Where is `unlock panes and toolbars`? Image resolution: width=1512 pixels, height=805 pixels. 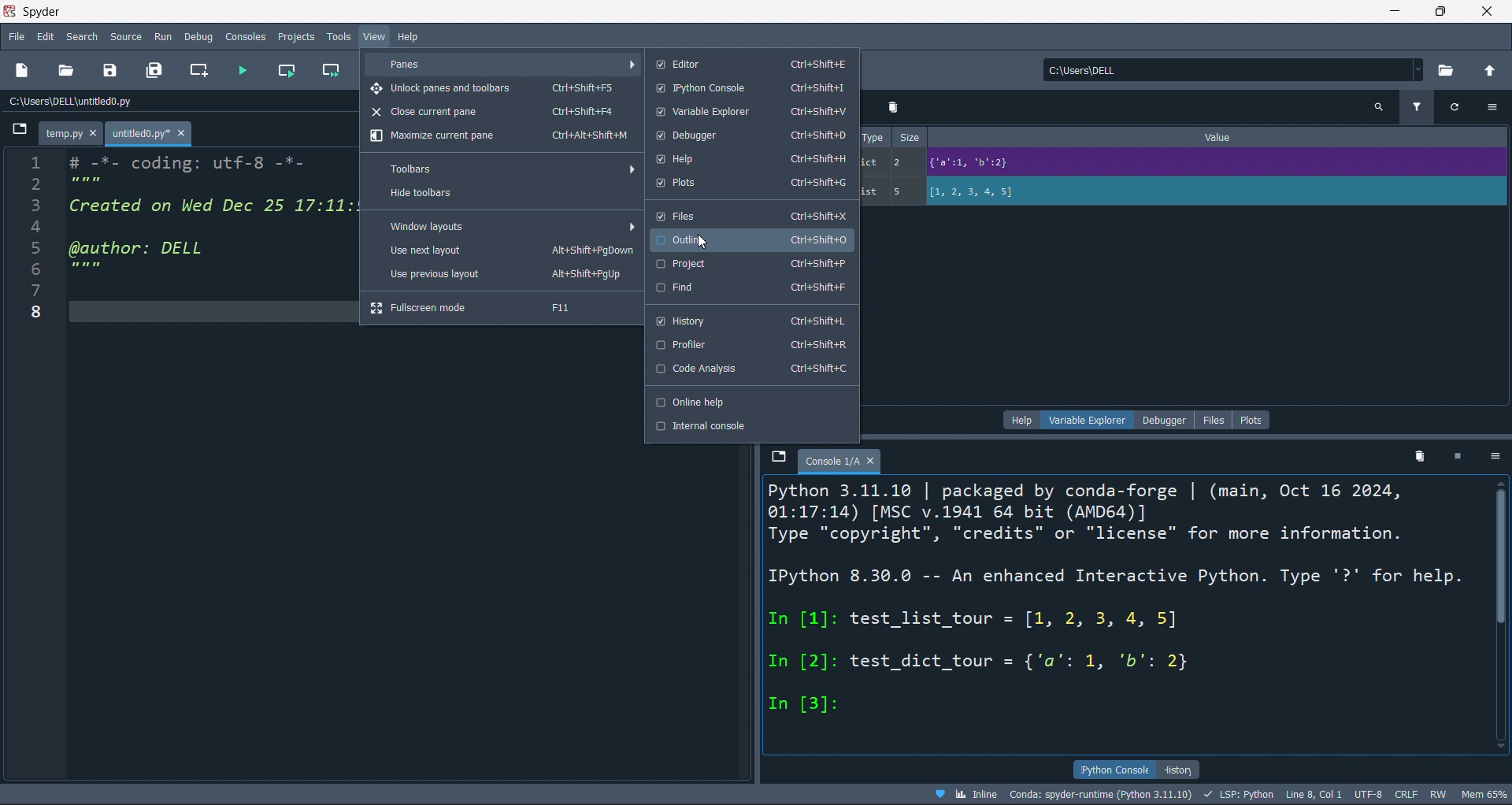
unlock panes and toolbars is located at coordinates (496, 90).